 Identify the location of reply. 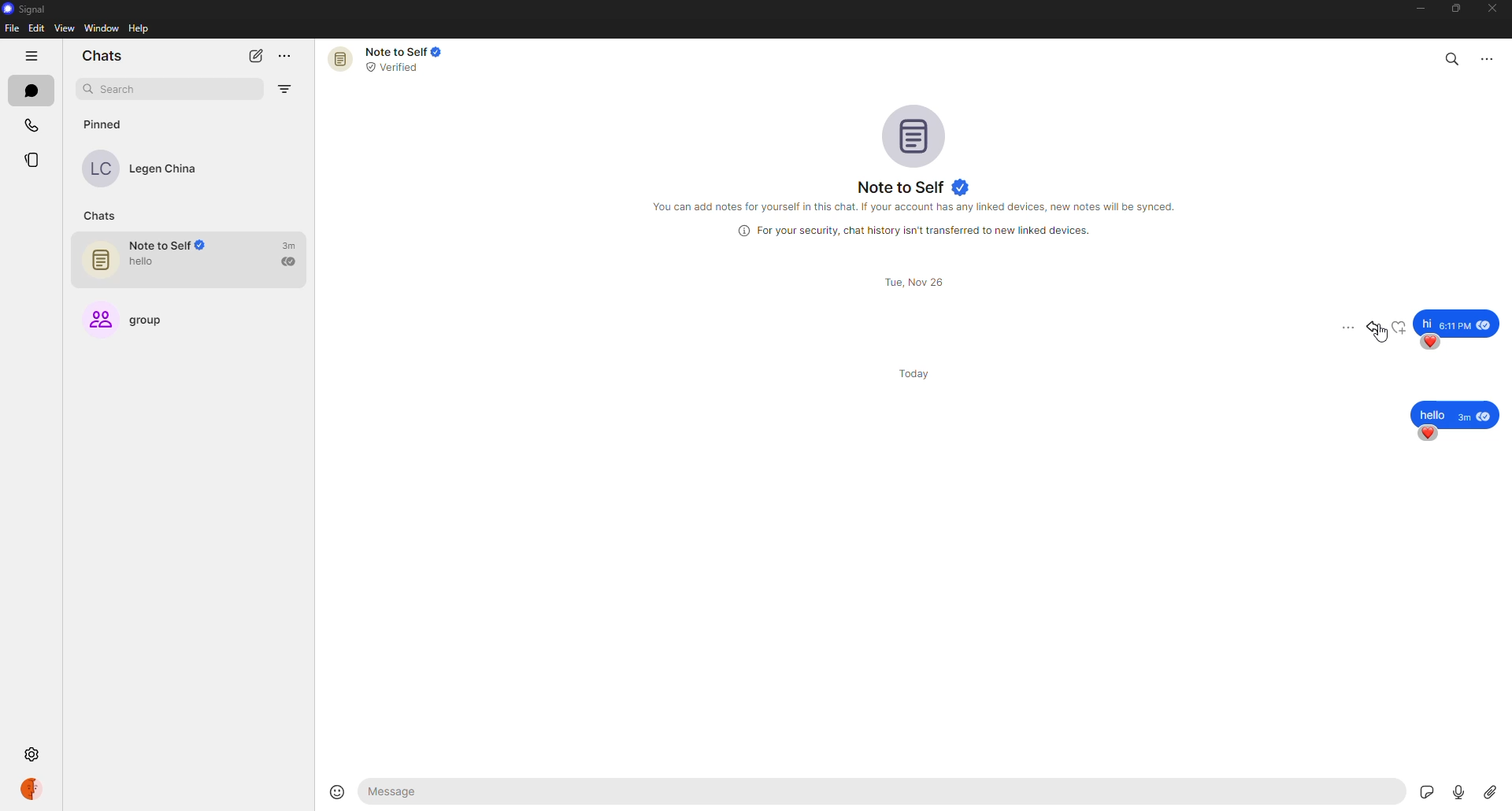
(1377, 328).